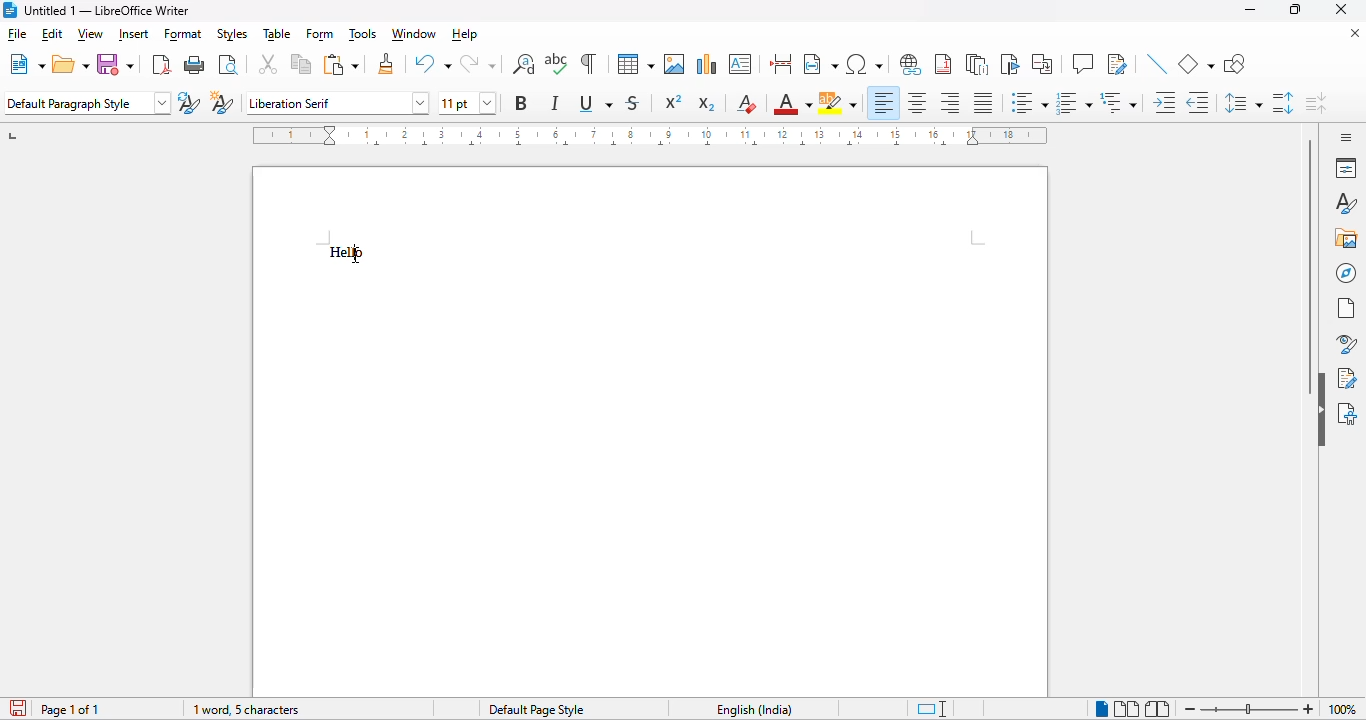 The height and width of the screenshot is (720, 1366). What do you see at coordinates (277, 35) in the screenshot?
I see `table` at bounding box center [277, 35].